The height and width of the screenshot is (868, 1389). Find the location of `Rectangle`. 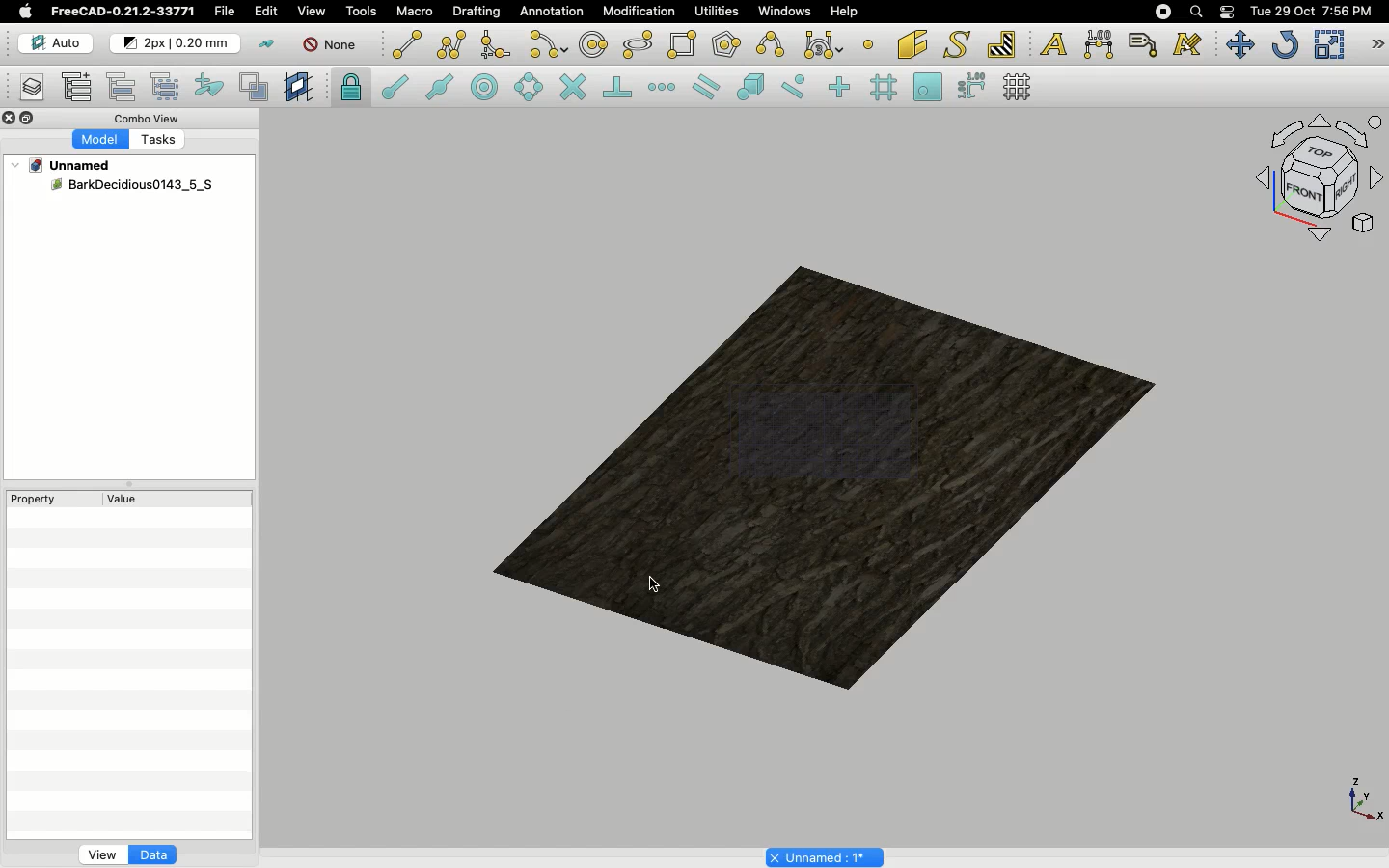

Rectangle is located at coordinates (686, 45).